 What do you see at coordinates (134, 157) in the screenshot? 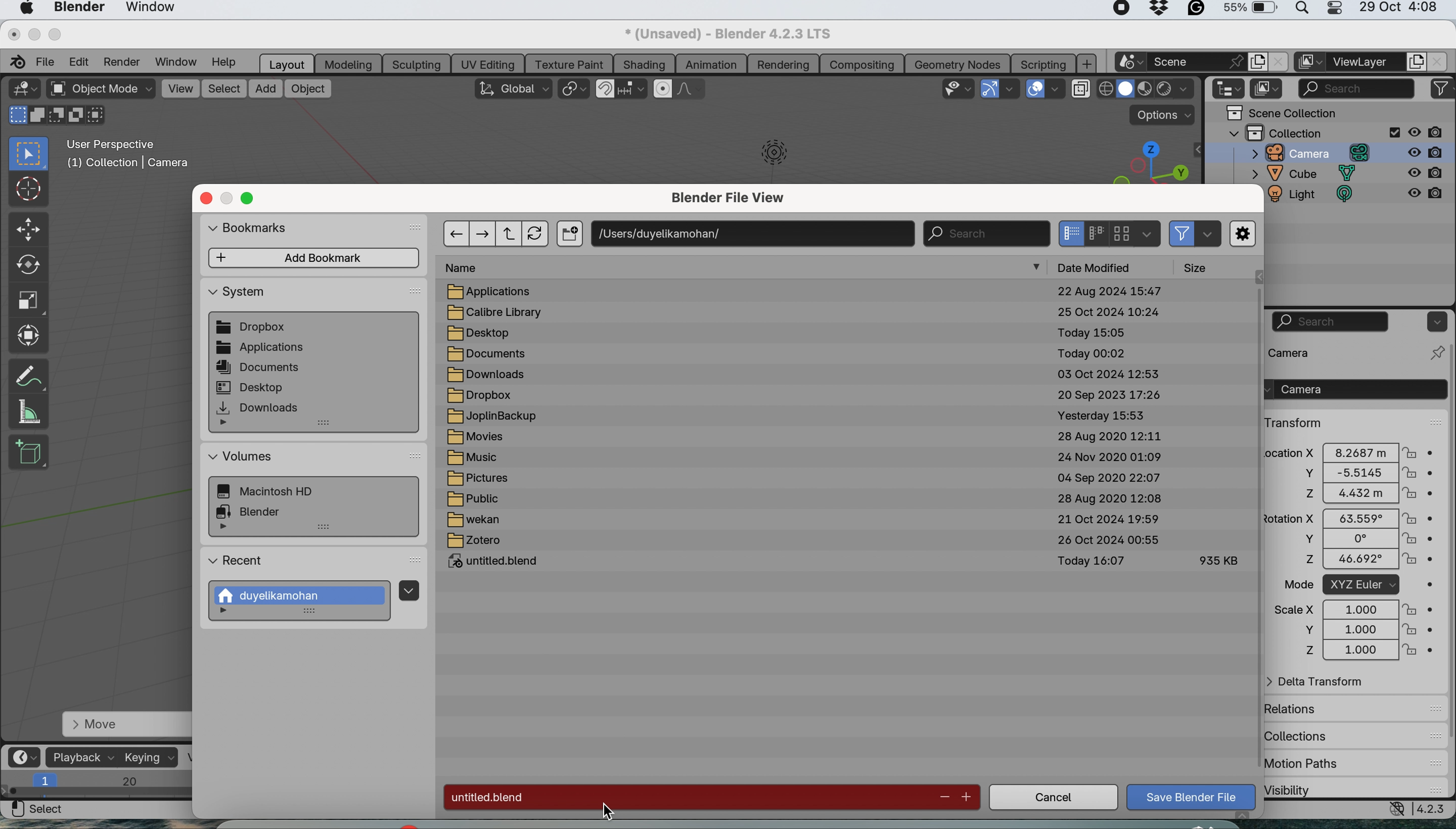
I see `User Perspective
(1) Collection | Camera` at bounding box center [134, 157].